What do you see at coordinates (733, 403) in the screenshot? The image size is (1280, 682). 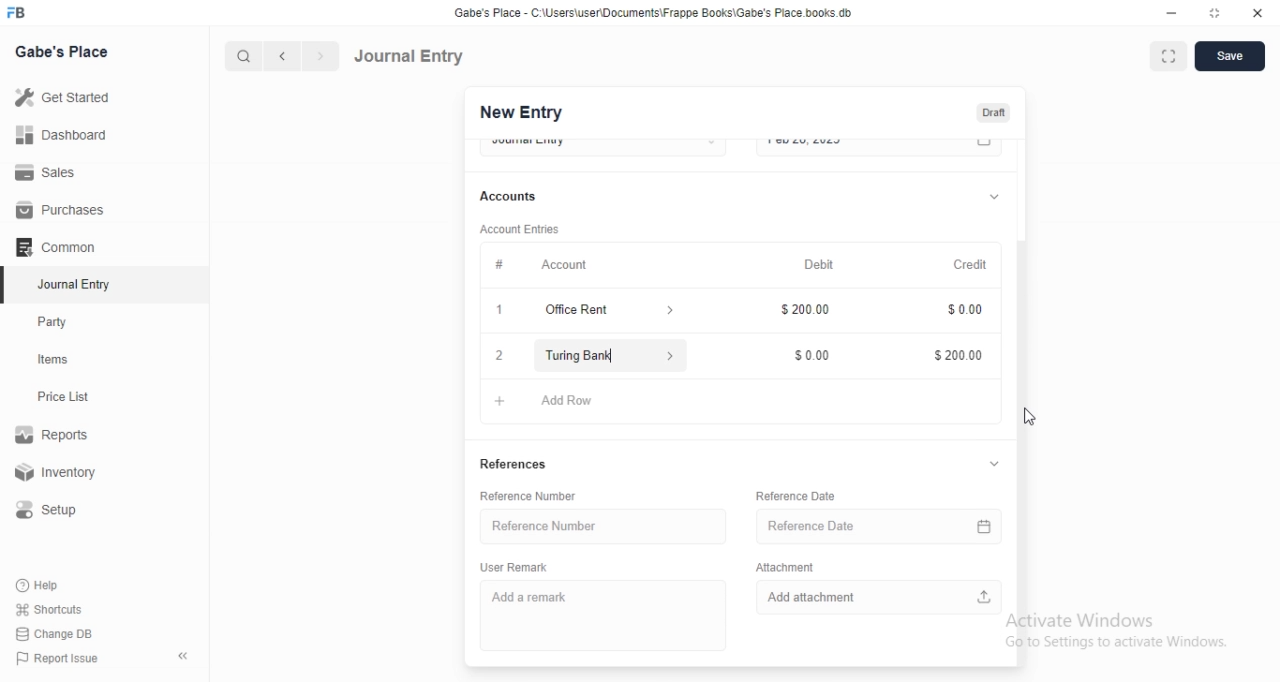 I see `+ AddRow` at bounding box center [733, 403].